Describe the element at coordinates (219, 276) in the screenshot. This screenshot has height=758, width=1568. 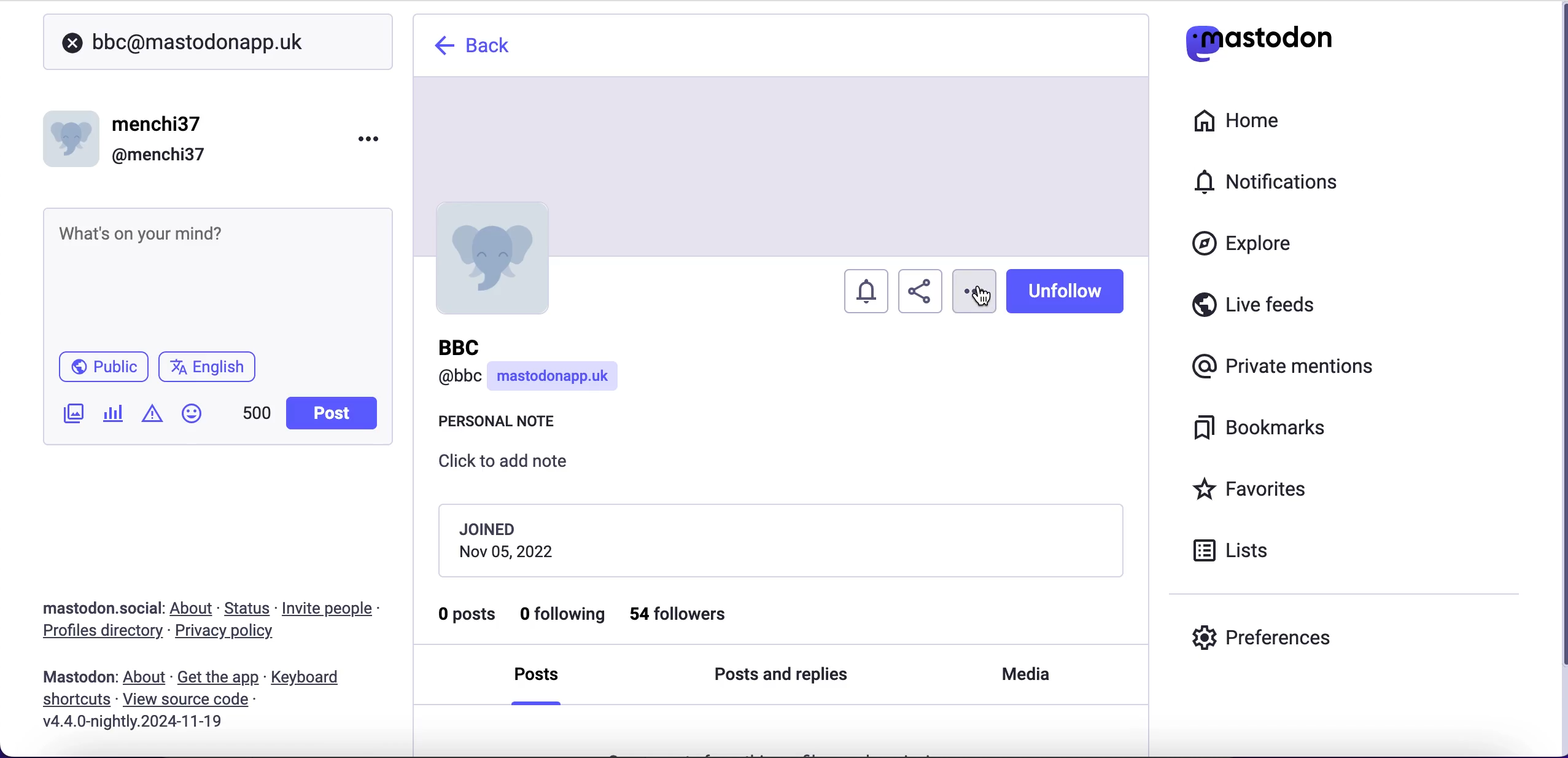
I see `post what's n your mind` at that location.